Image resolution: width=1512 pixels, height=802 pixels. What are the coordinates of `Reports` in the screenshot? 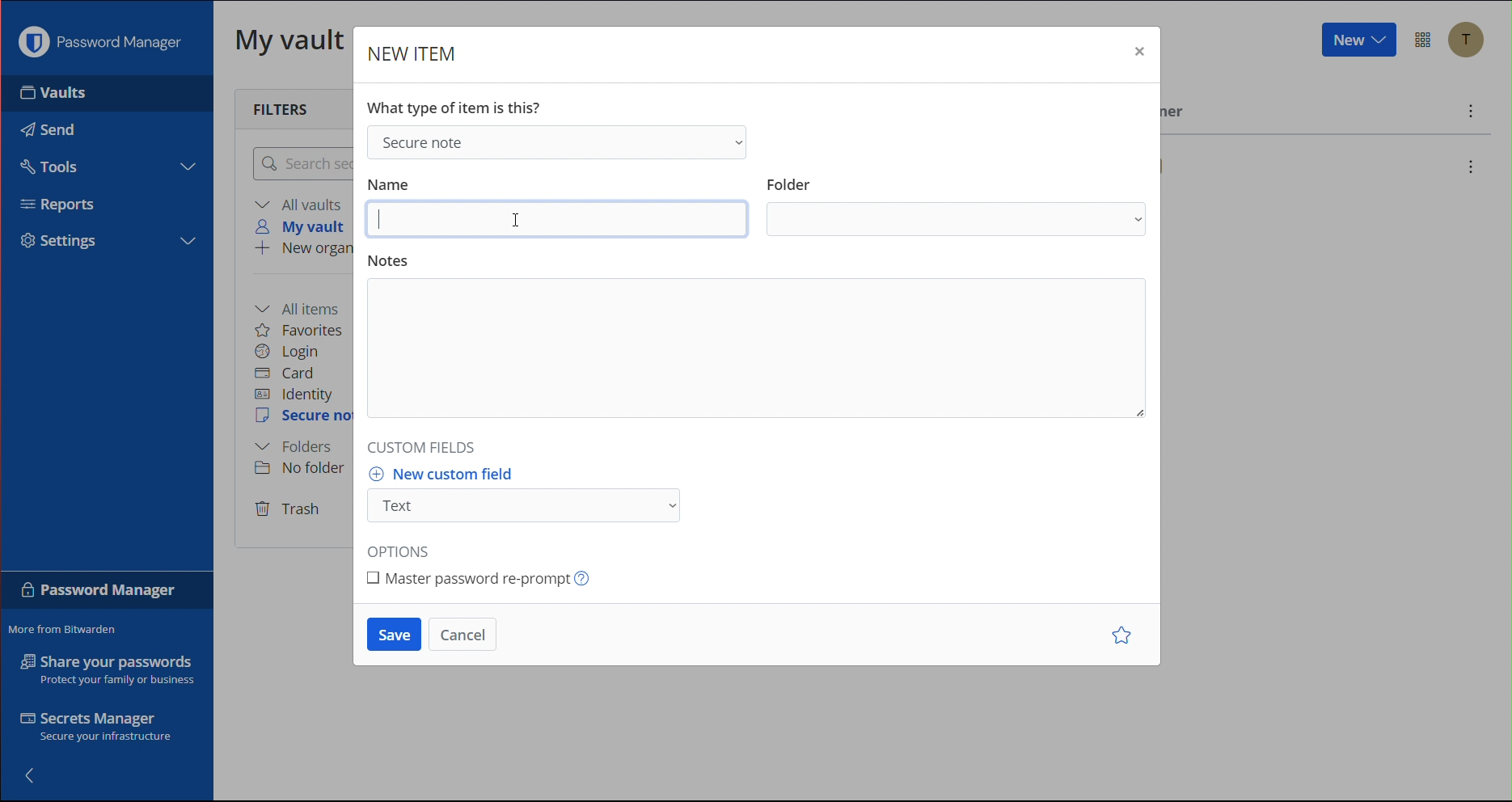 It's located at (65, 207).